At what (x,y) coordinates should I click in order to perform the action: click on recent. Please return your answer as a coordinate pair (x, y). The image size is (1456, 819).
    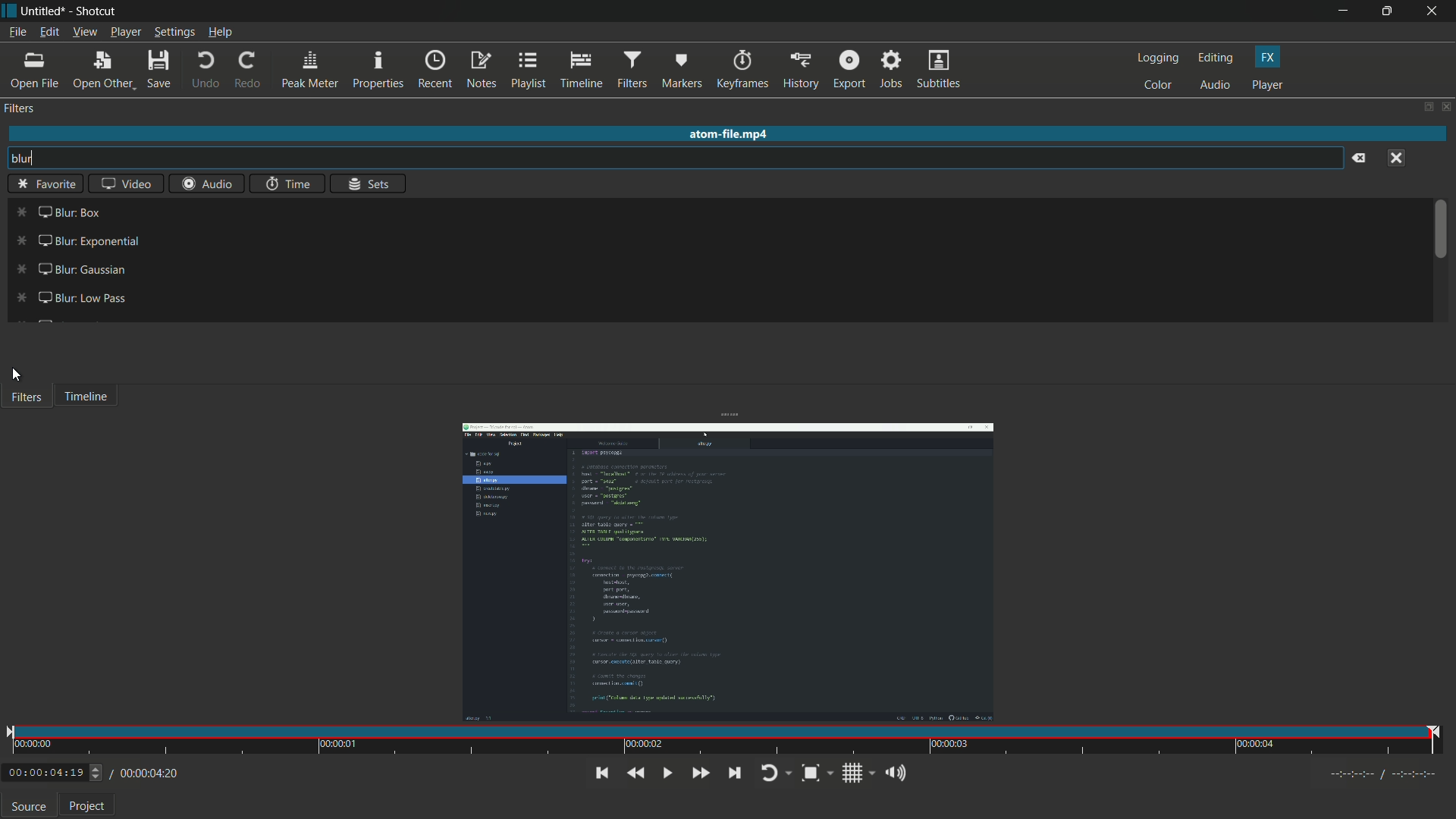
    Looking at the image, I should click on (435, 71).